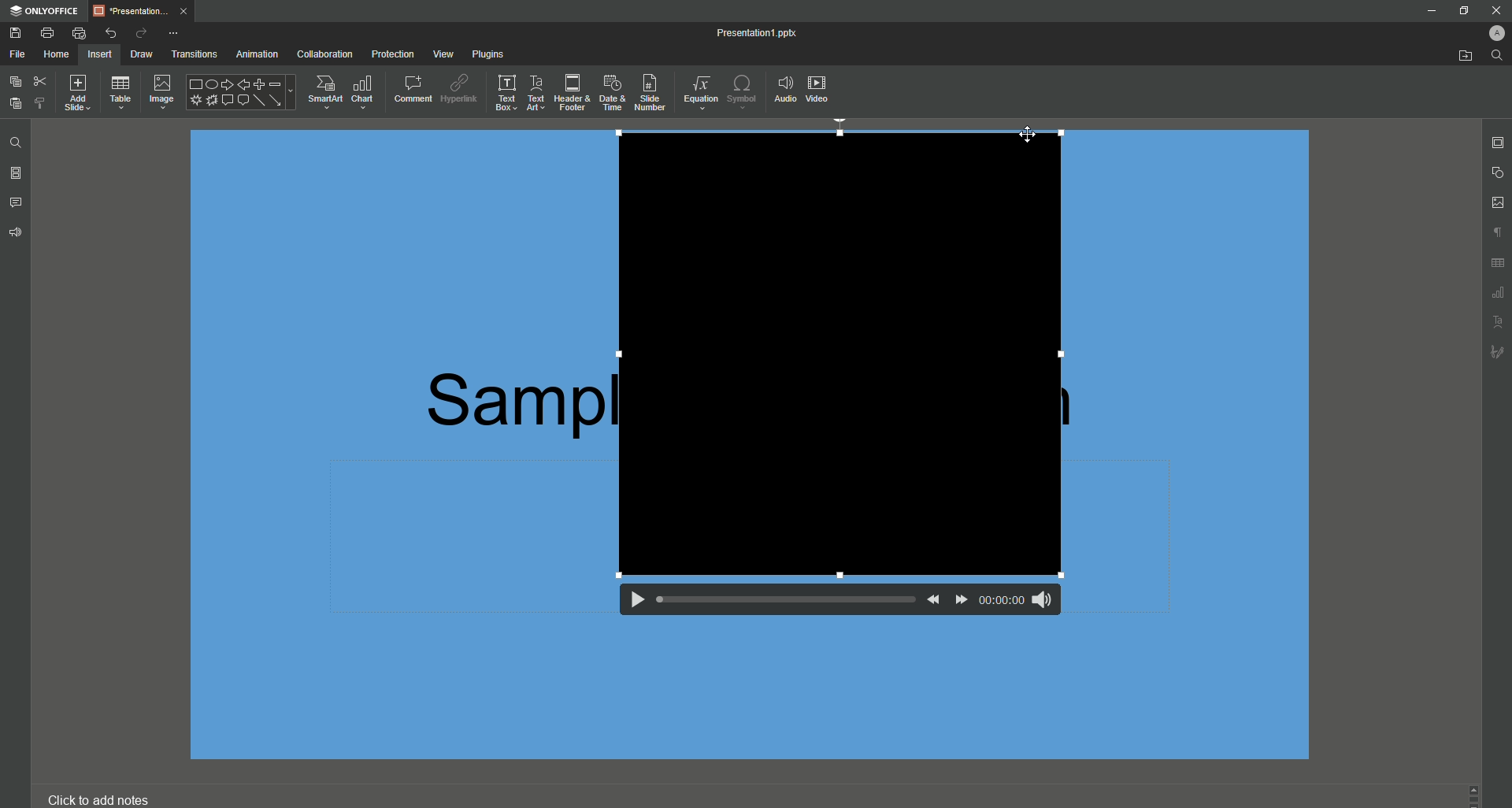 This screenshot has width=1512, height=808. What do you see at coordinates (503, 92) in the screenshot?
I see `Text Box` at bounding box center [503, 92].